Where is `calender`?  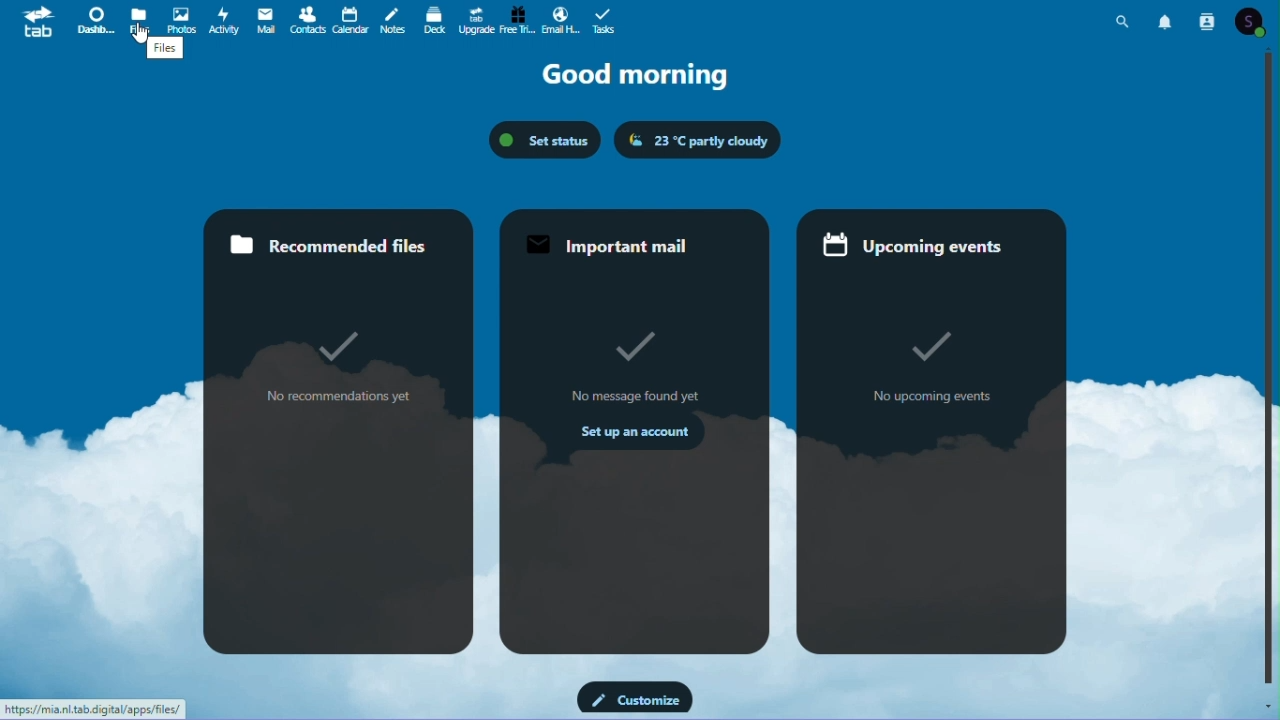 calender is located at coordinates (350, 21).